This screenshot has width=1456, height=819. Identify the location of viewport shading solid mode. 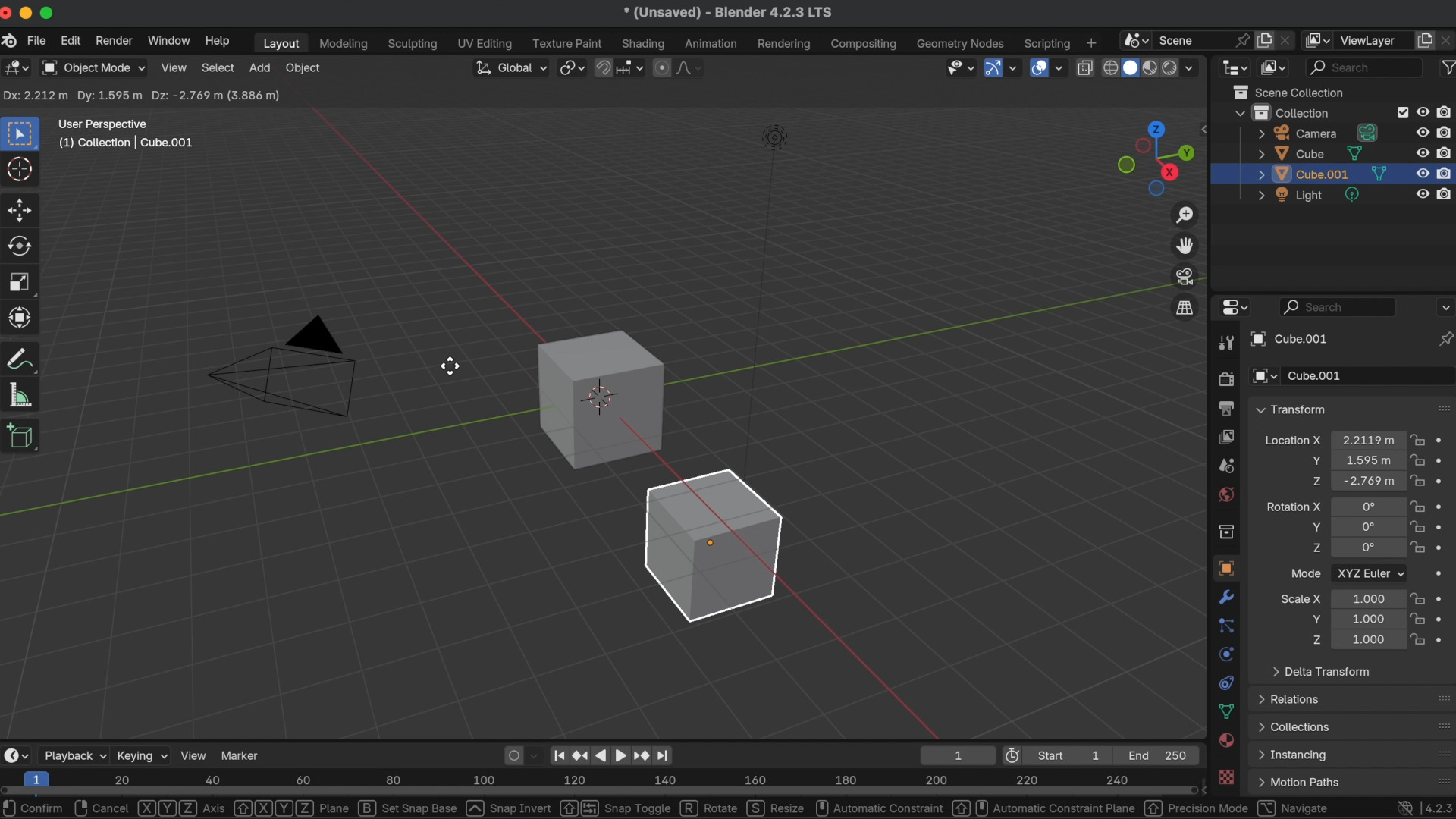
(1130, 66).